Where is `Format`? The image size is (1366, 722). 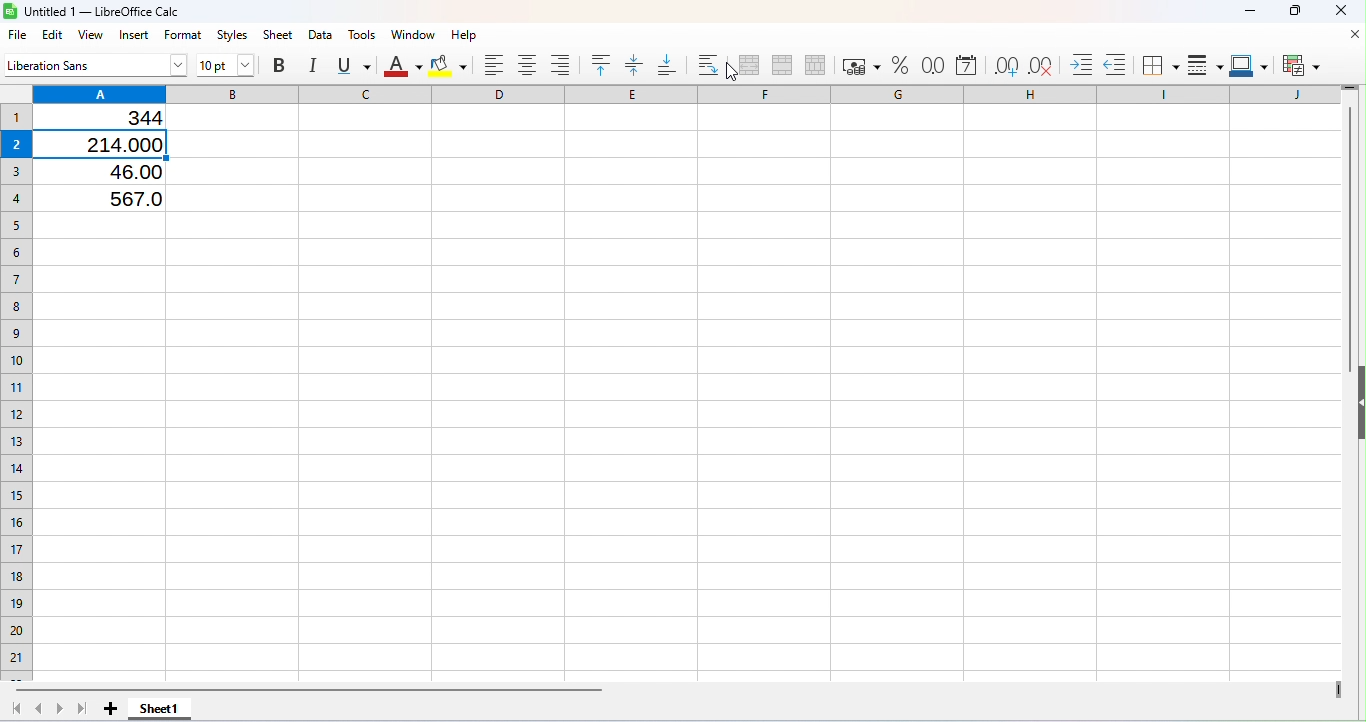 Format is located at coordinates (184, 35).